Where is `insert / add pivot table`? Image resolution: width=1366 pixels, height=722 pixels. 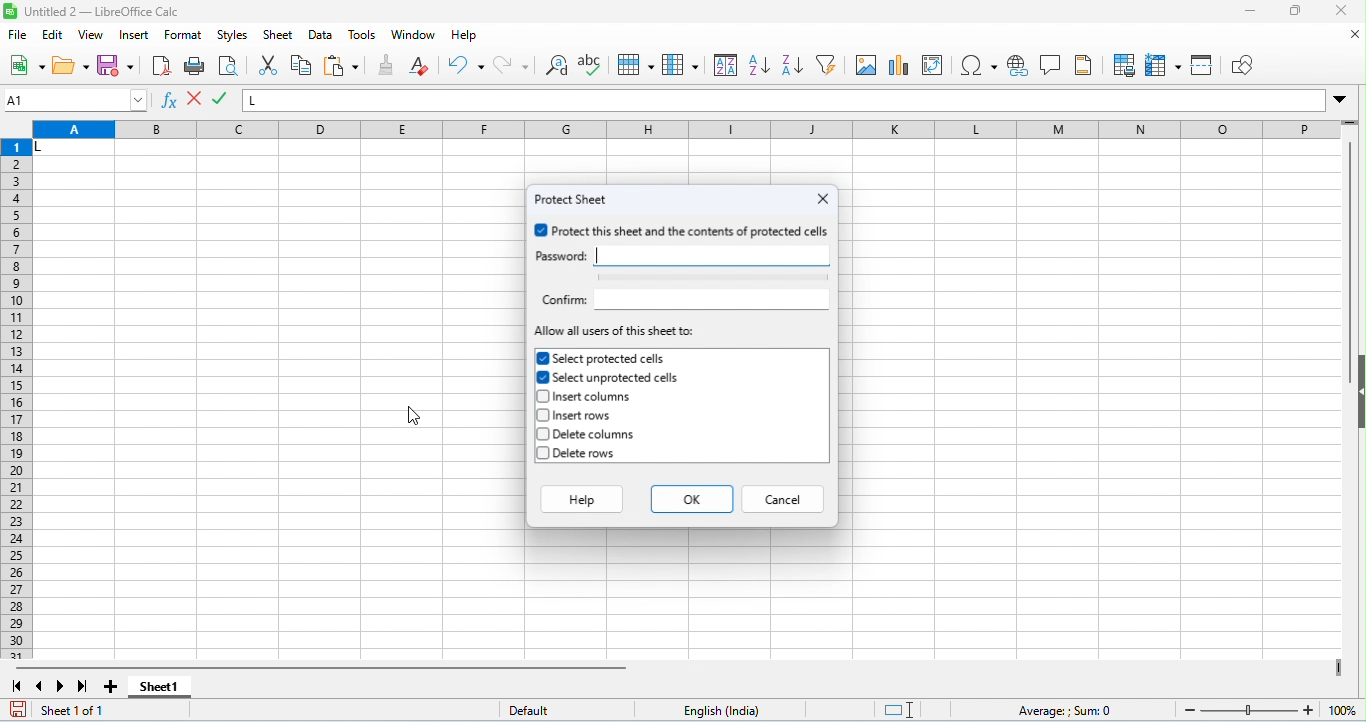 insert / add pivot table is located at coordinates (932, 65).